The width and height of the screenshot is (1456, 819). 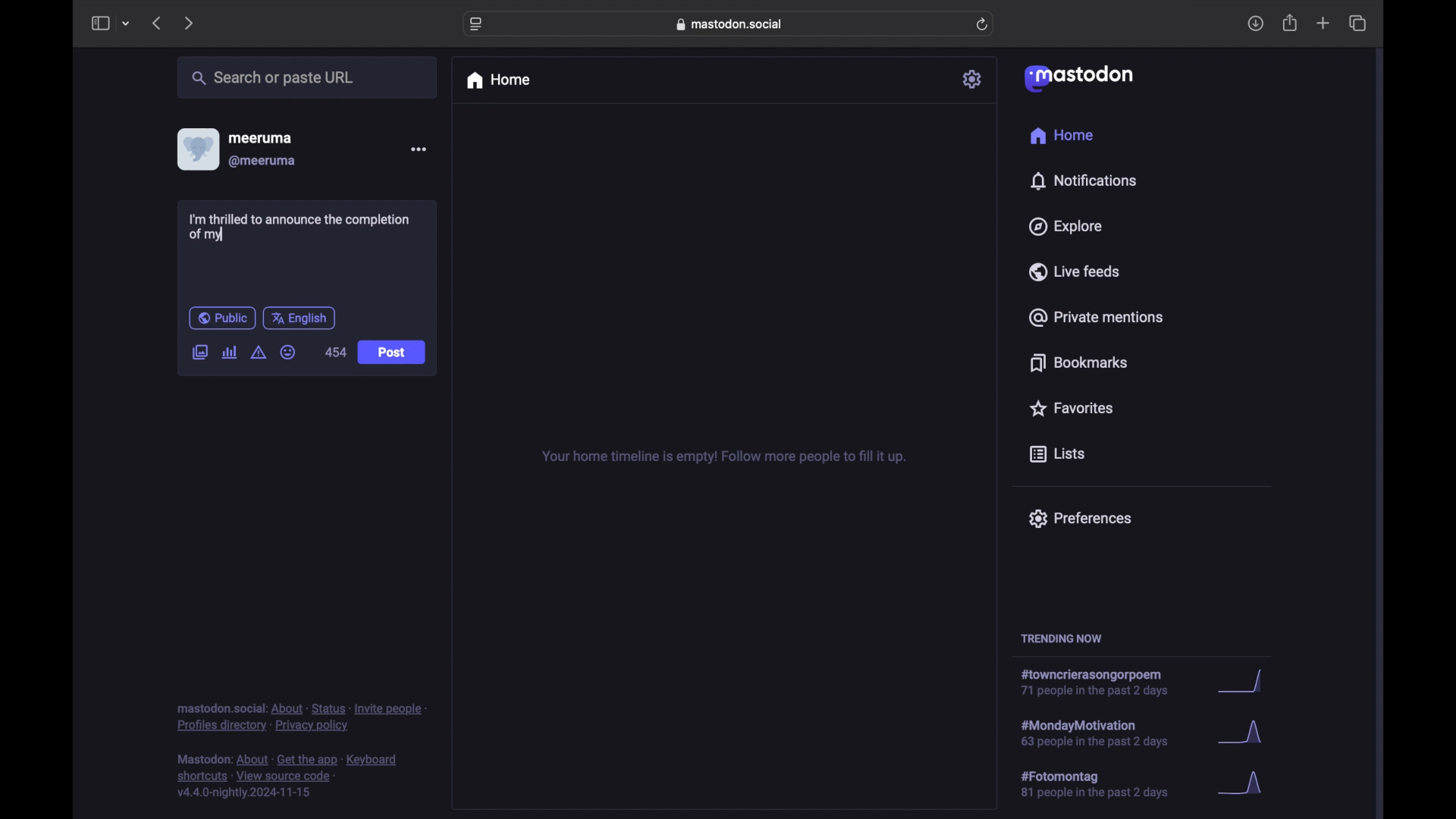 What do you see at coordinates (264, 162) in the screenshot?
I see `@meeruma` at bounding box center [264, 162].